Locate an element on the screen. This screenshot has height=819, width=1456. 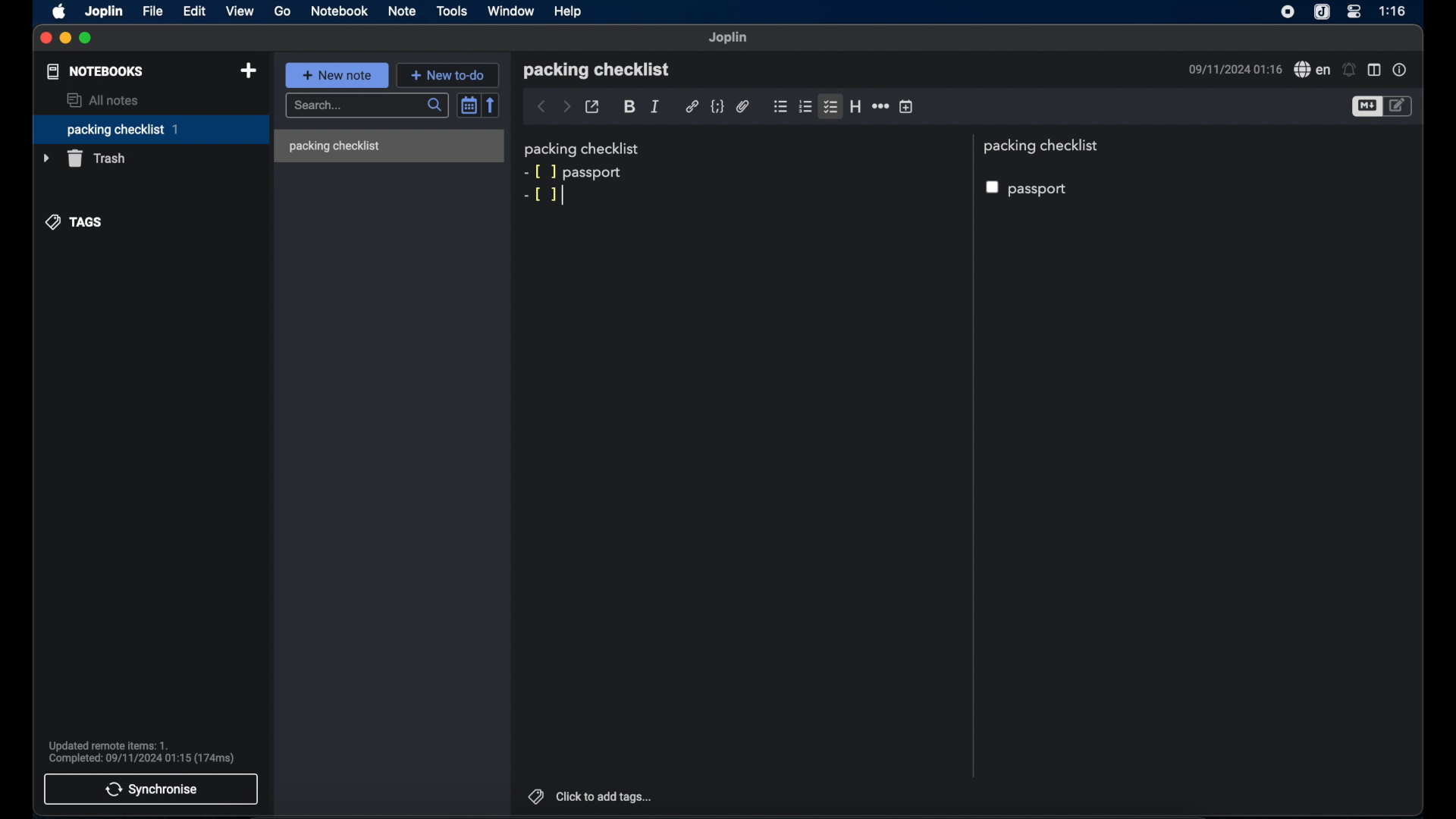
packing checklist is located at coordinates (334, 146).